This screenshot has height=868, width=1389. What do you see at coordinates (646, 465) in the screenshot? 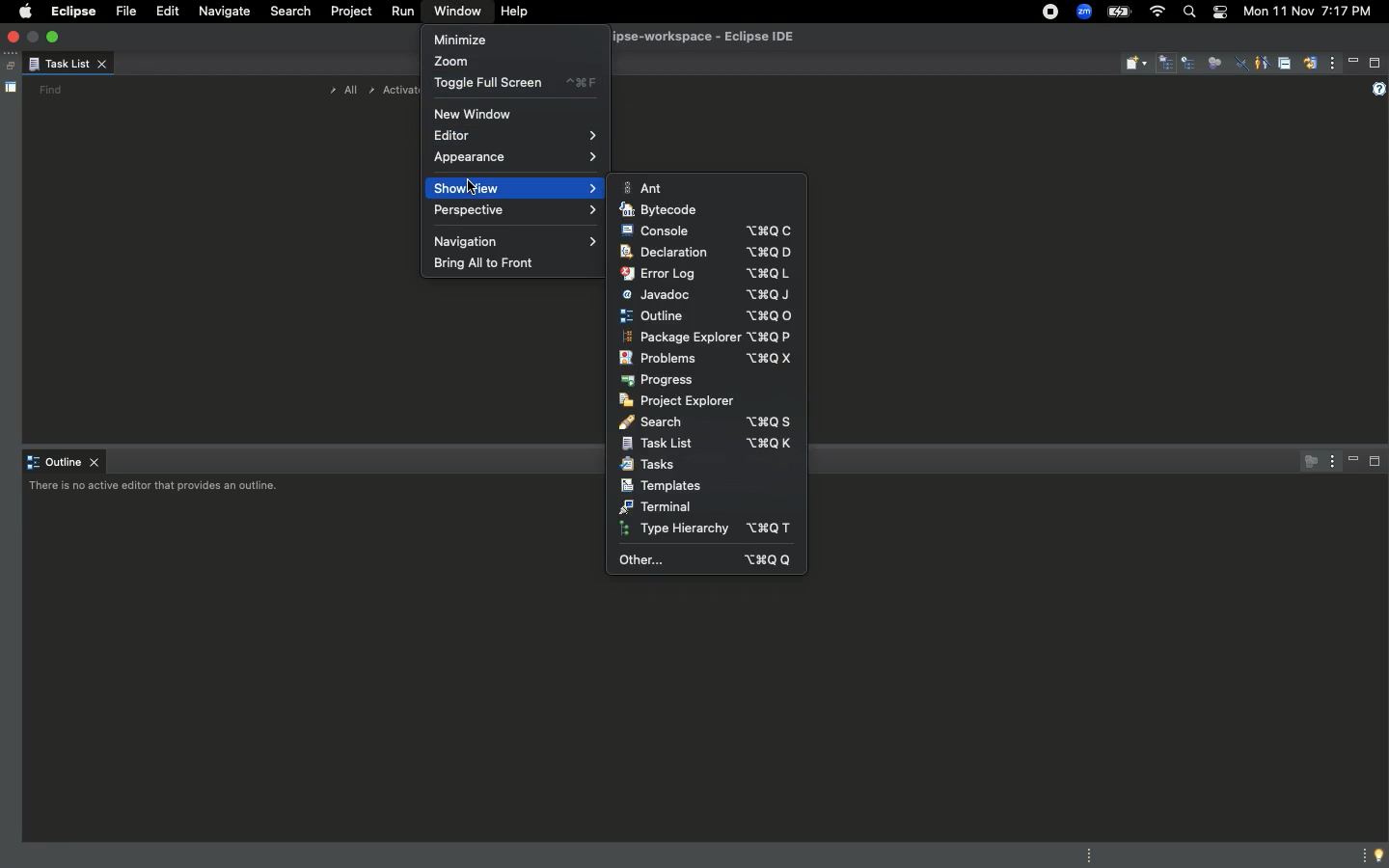
I see `Tasks` at bounding box center [646, 465].